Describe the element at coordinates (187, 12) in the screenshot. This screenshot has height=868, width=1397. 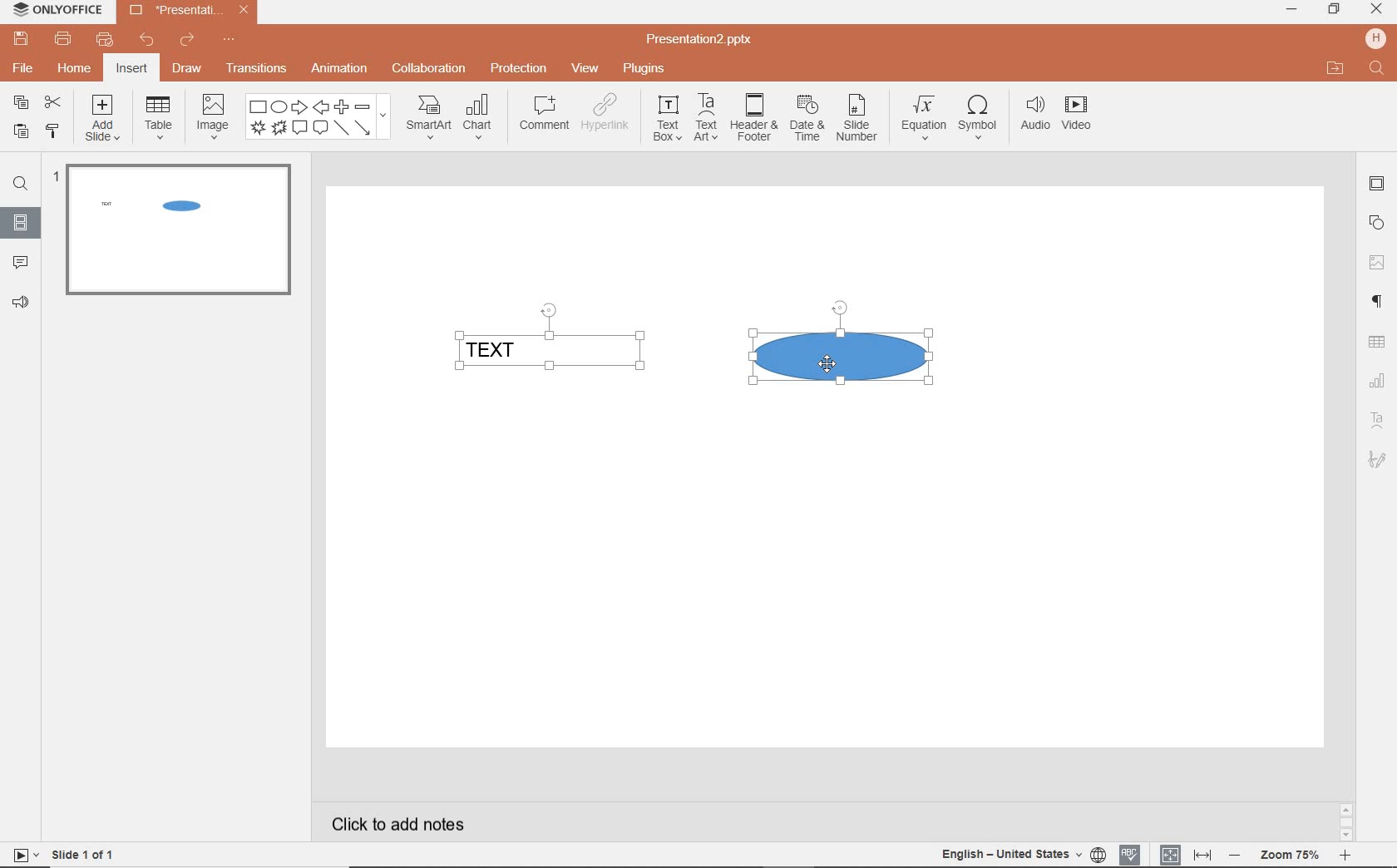
I see `Presentation2.pptx` at that location.